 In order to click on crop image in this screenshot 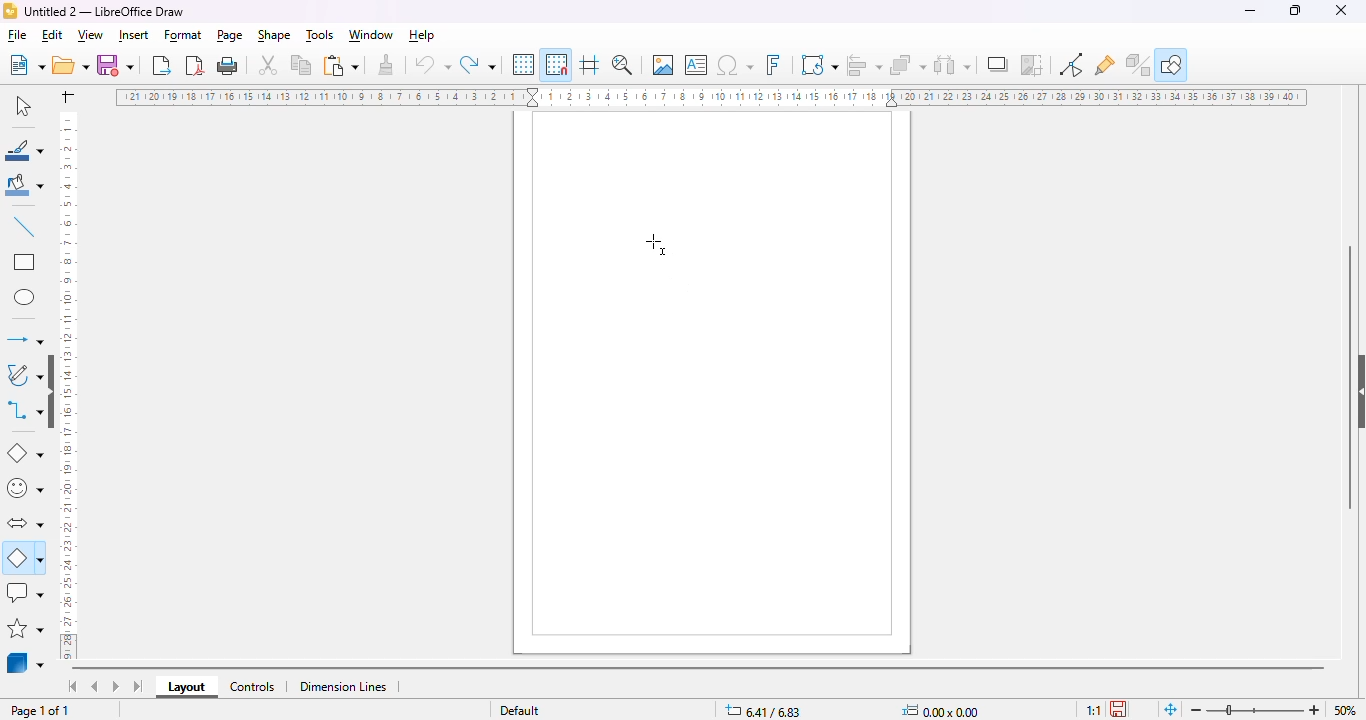, I will do `click(1033, 66)`.